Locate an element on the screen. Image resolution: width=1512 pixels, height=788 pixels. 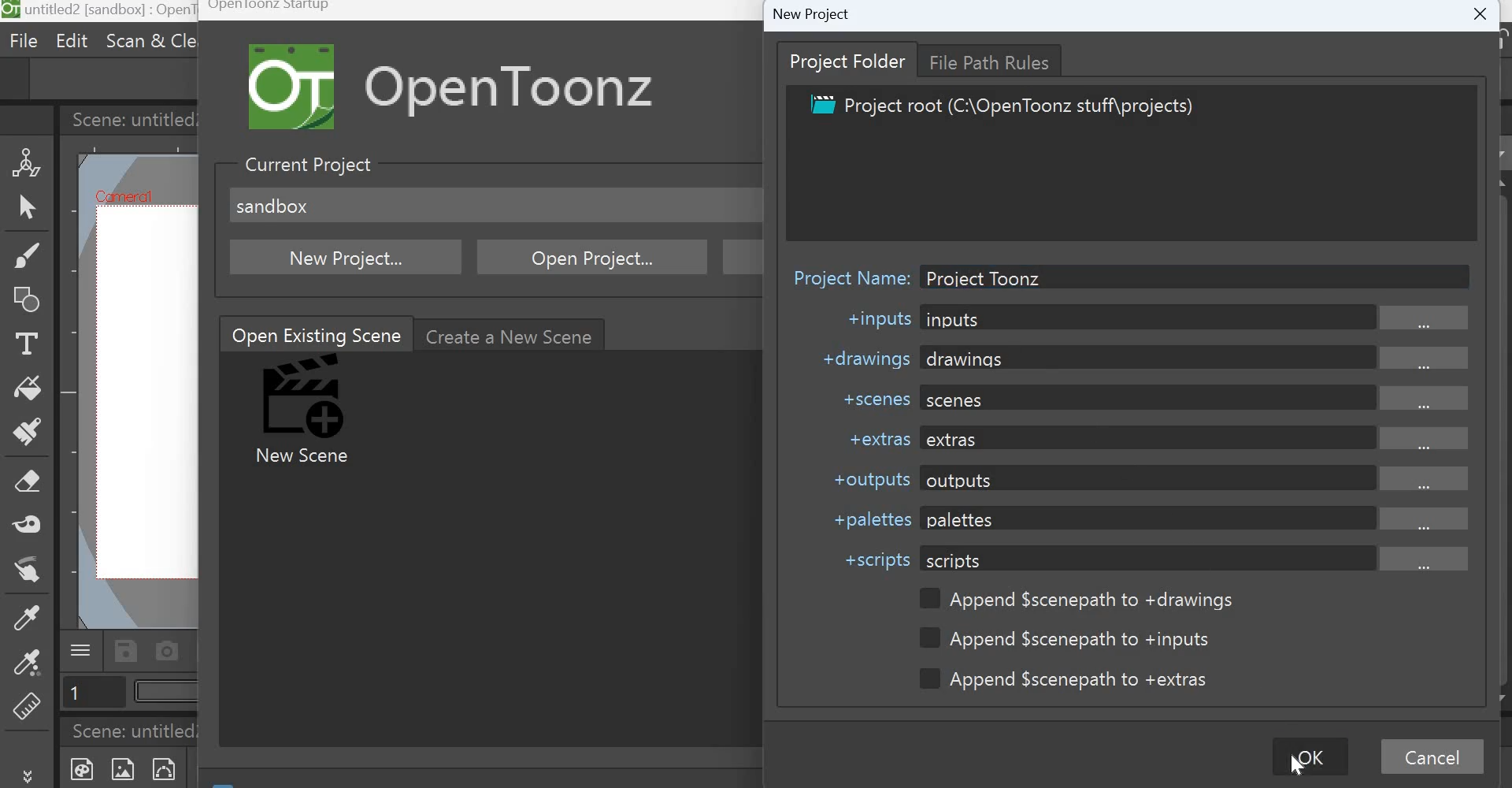
scrollbar is located at coordinates (1503, 397).